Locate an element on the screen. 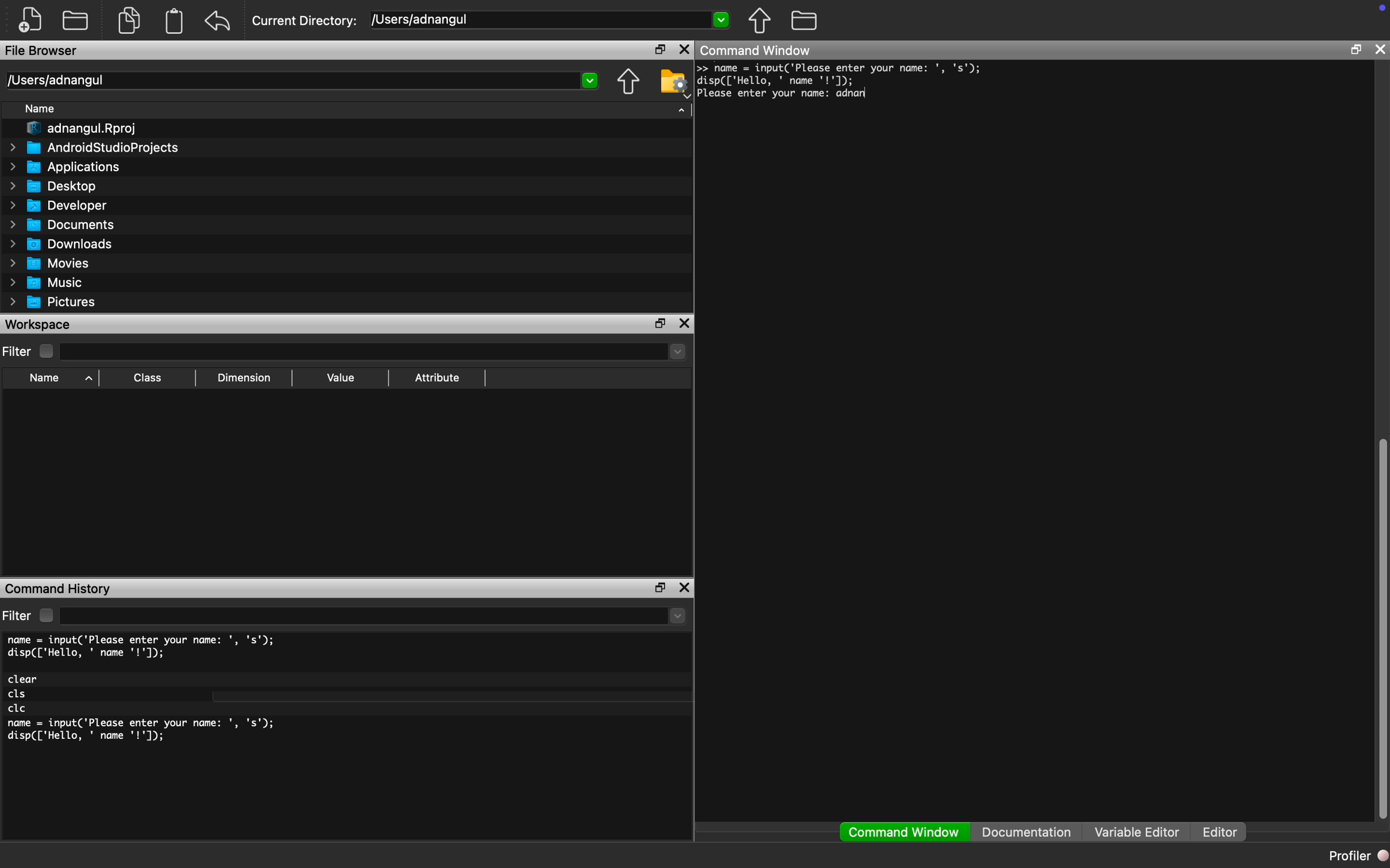  Class is located at coordinates (145, 378).